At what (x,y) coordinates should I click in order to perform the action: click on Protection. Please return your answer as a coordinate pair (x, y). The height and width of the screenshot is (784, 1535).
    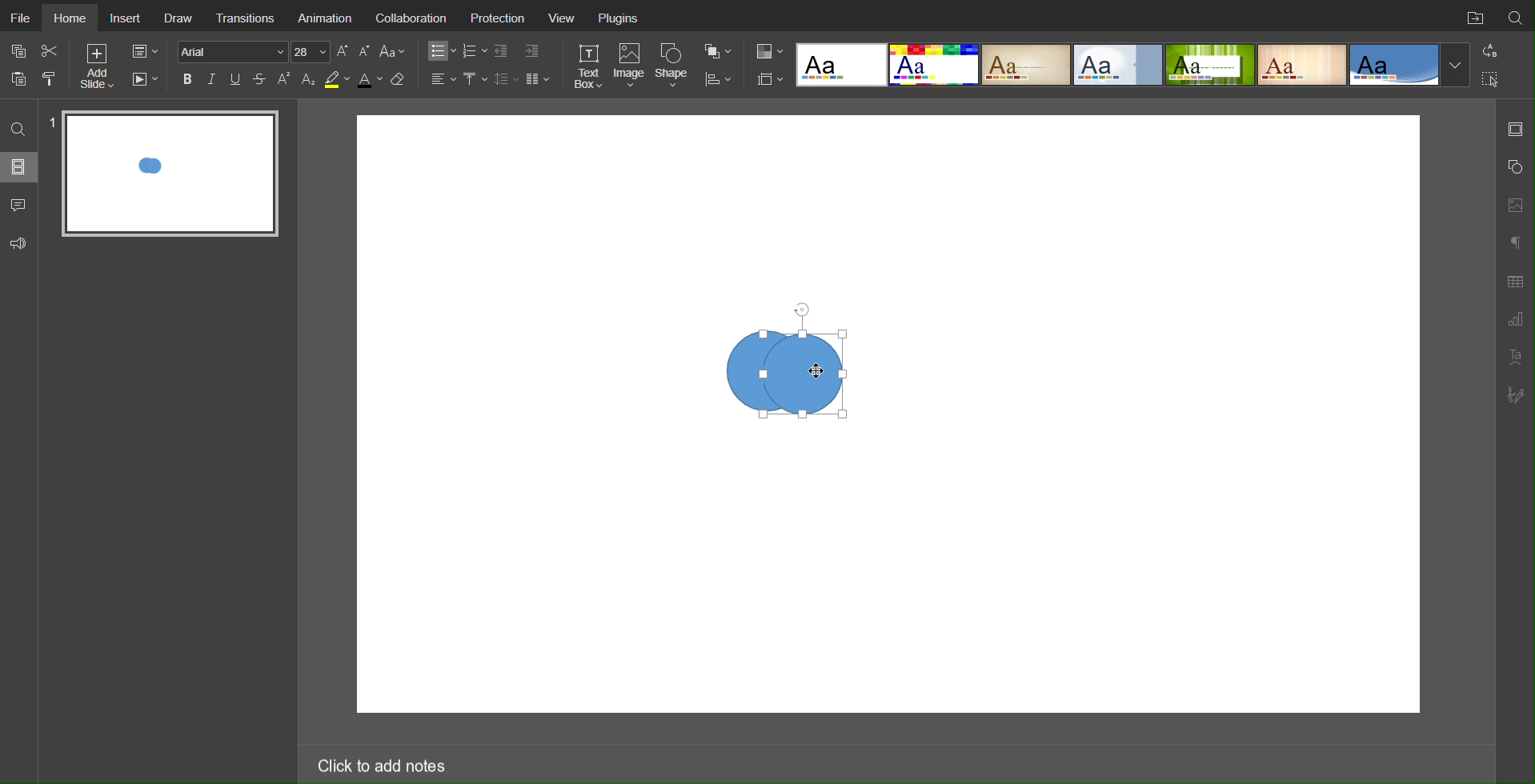
    Looking at the image, I should click on (503, 20).